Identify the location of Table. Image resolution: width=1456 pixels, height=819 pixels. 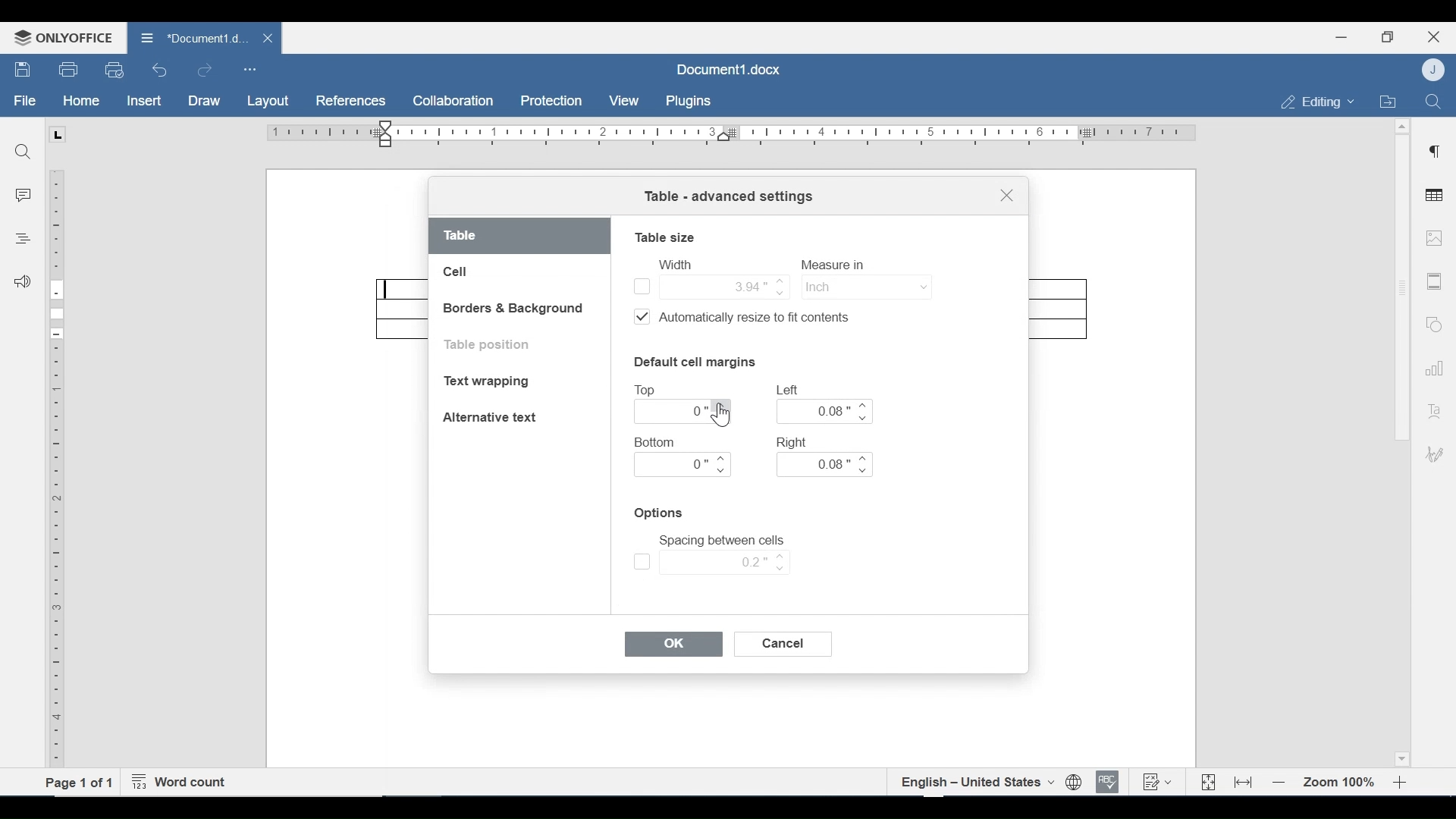
(520, 237).